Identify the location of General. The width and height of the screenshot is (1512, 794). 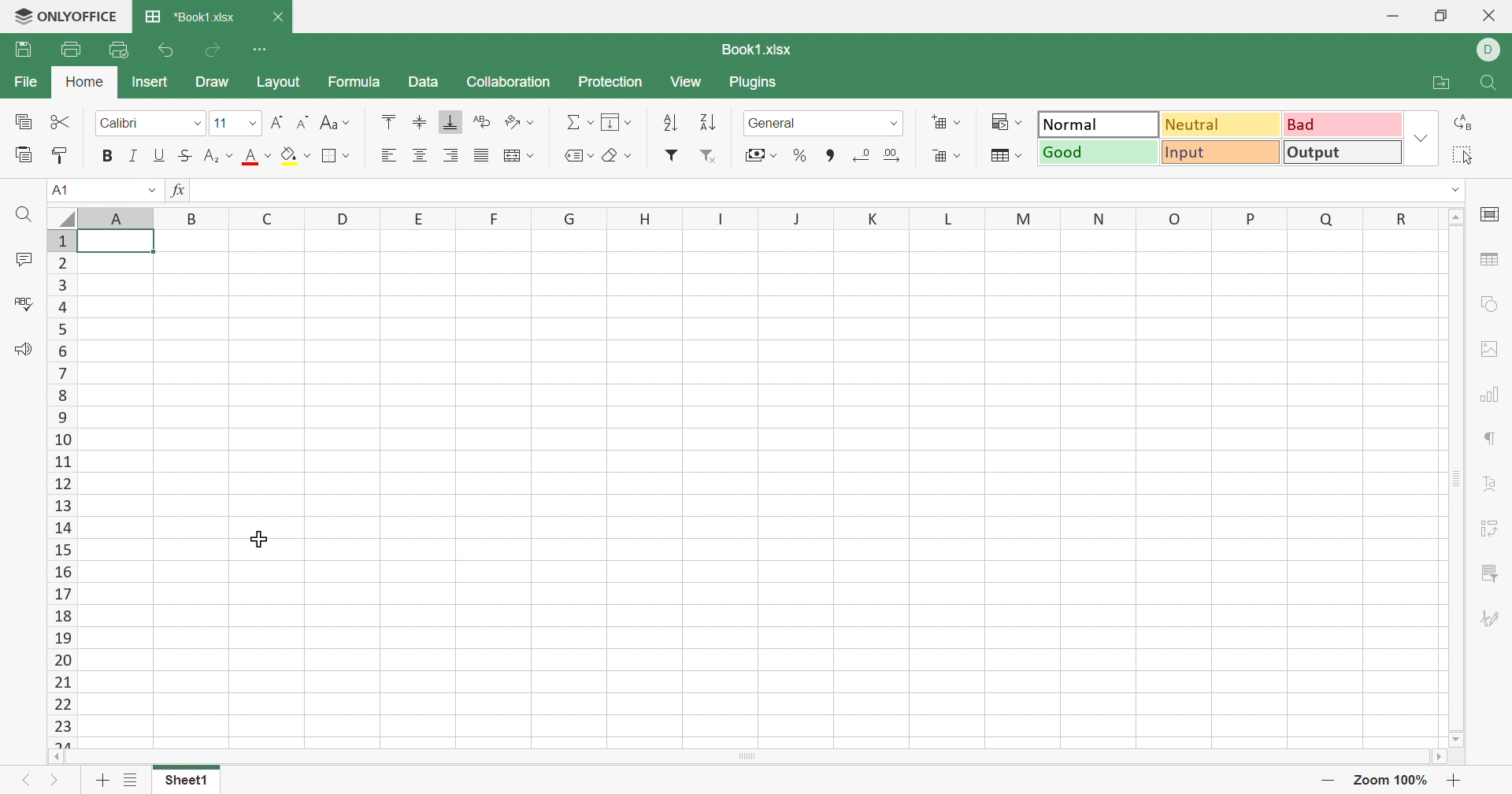
(773, 124).